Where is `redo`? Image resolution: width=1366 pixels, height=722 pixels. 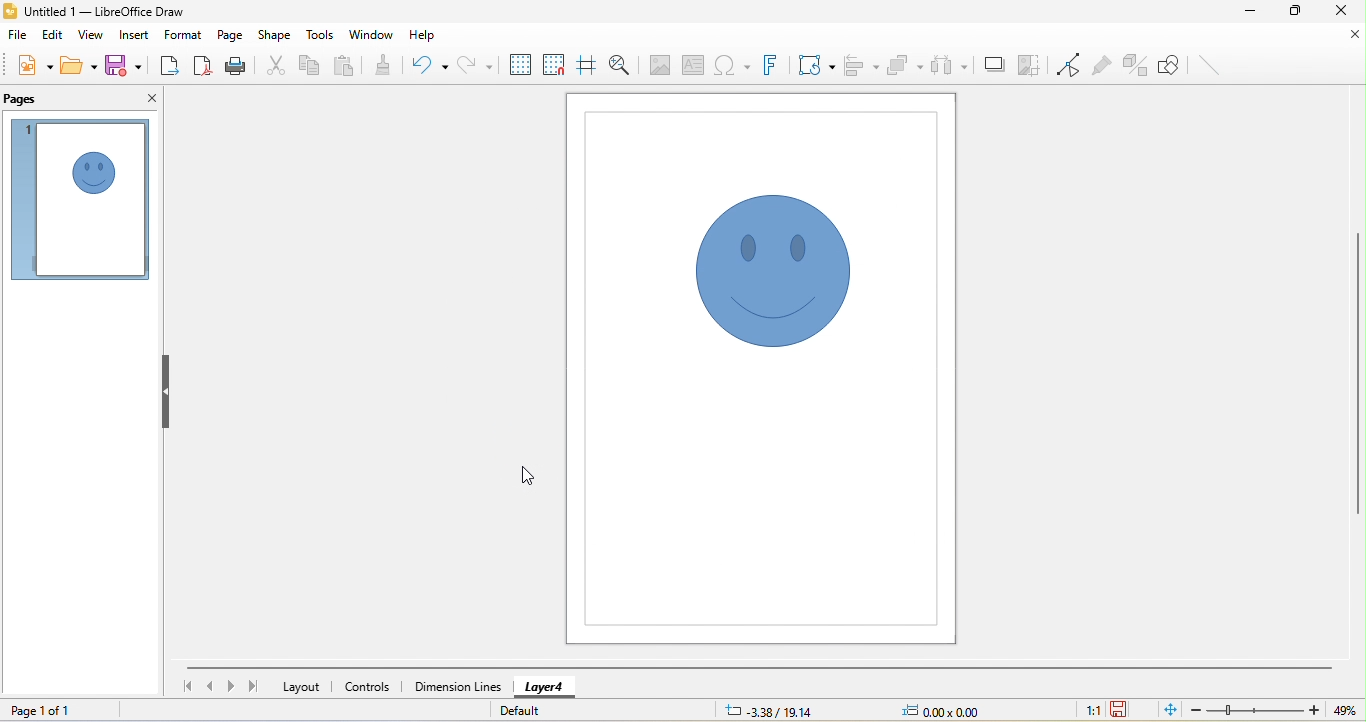 redo is located at coordinates (479, 63).